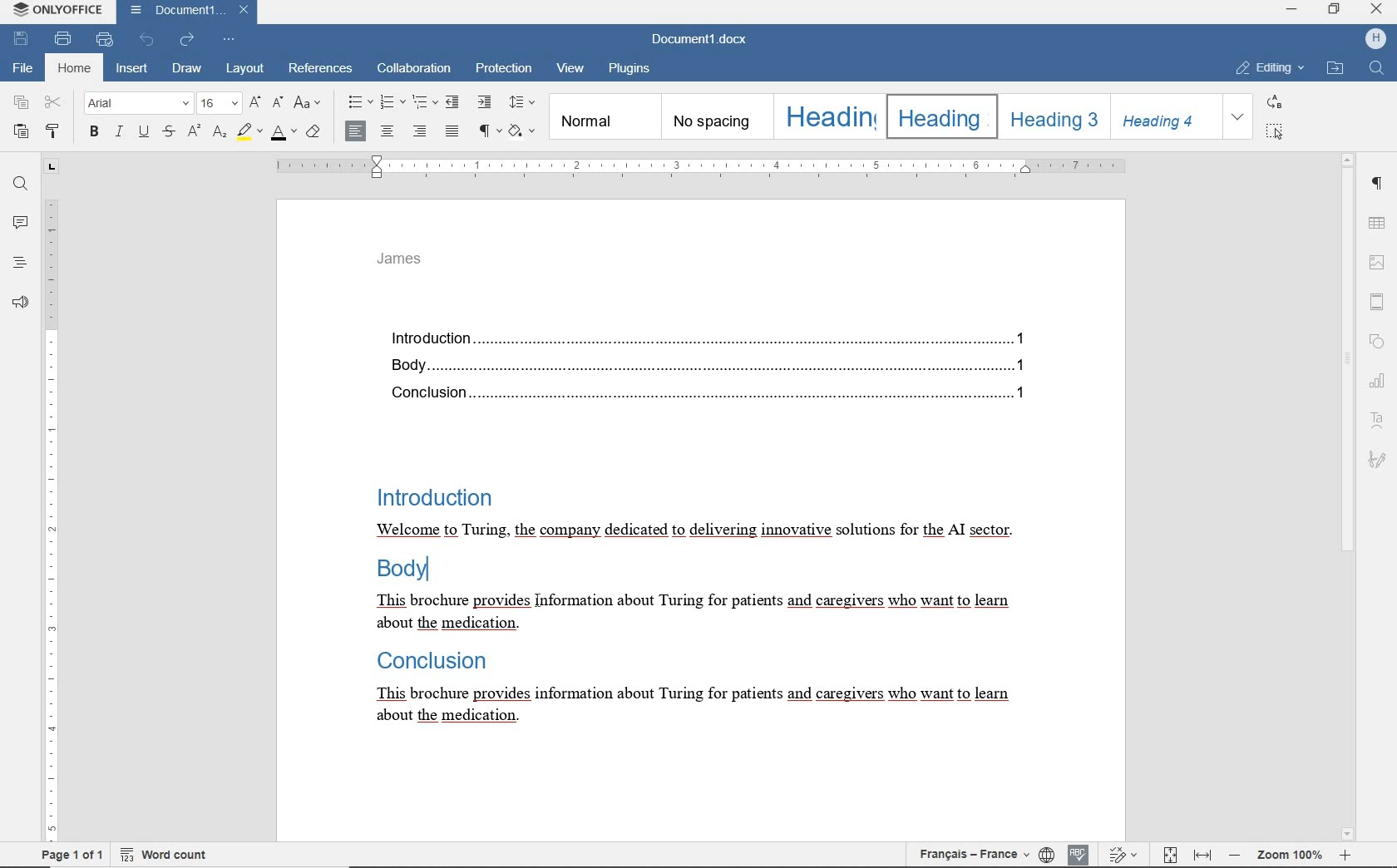  I want to click on FEEDBACK & SUPPORT, so click(20, 299).